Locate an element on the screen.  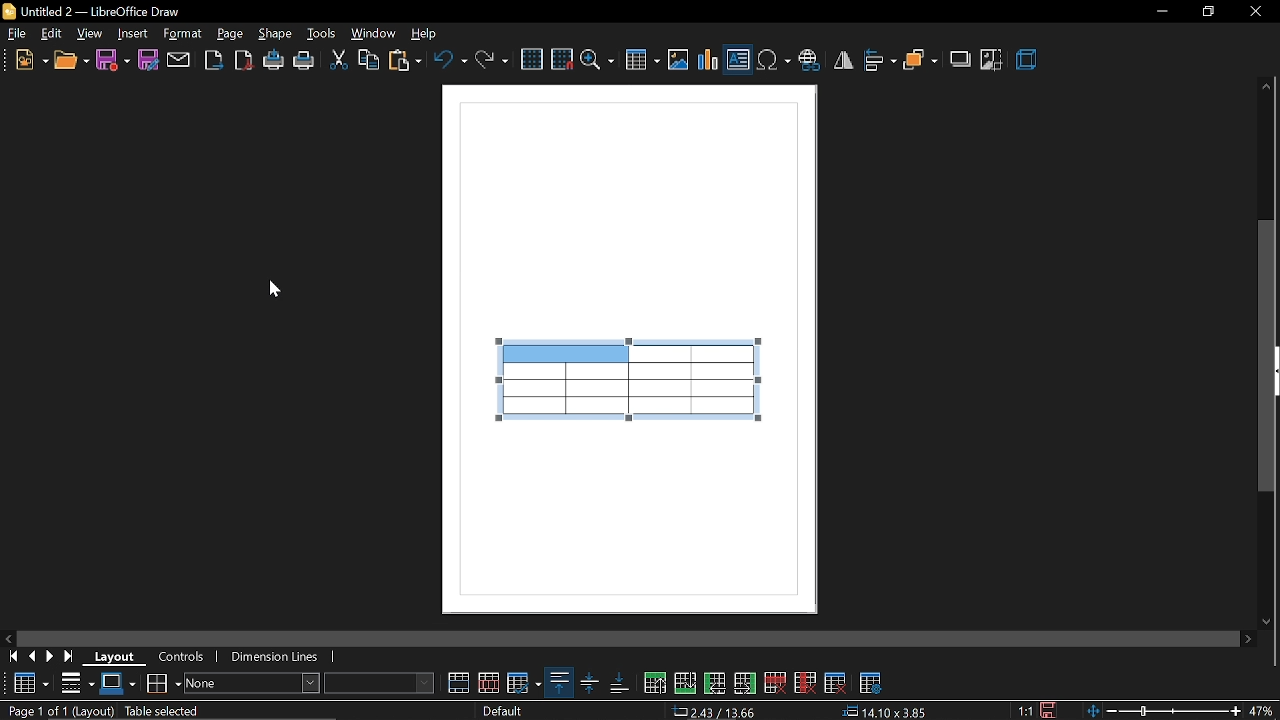
tools is located at coordinates (322, 33).